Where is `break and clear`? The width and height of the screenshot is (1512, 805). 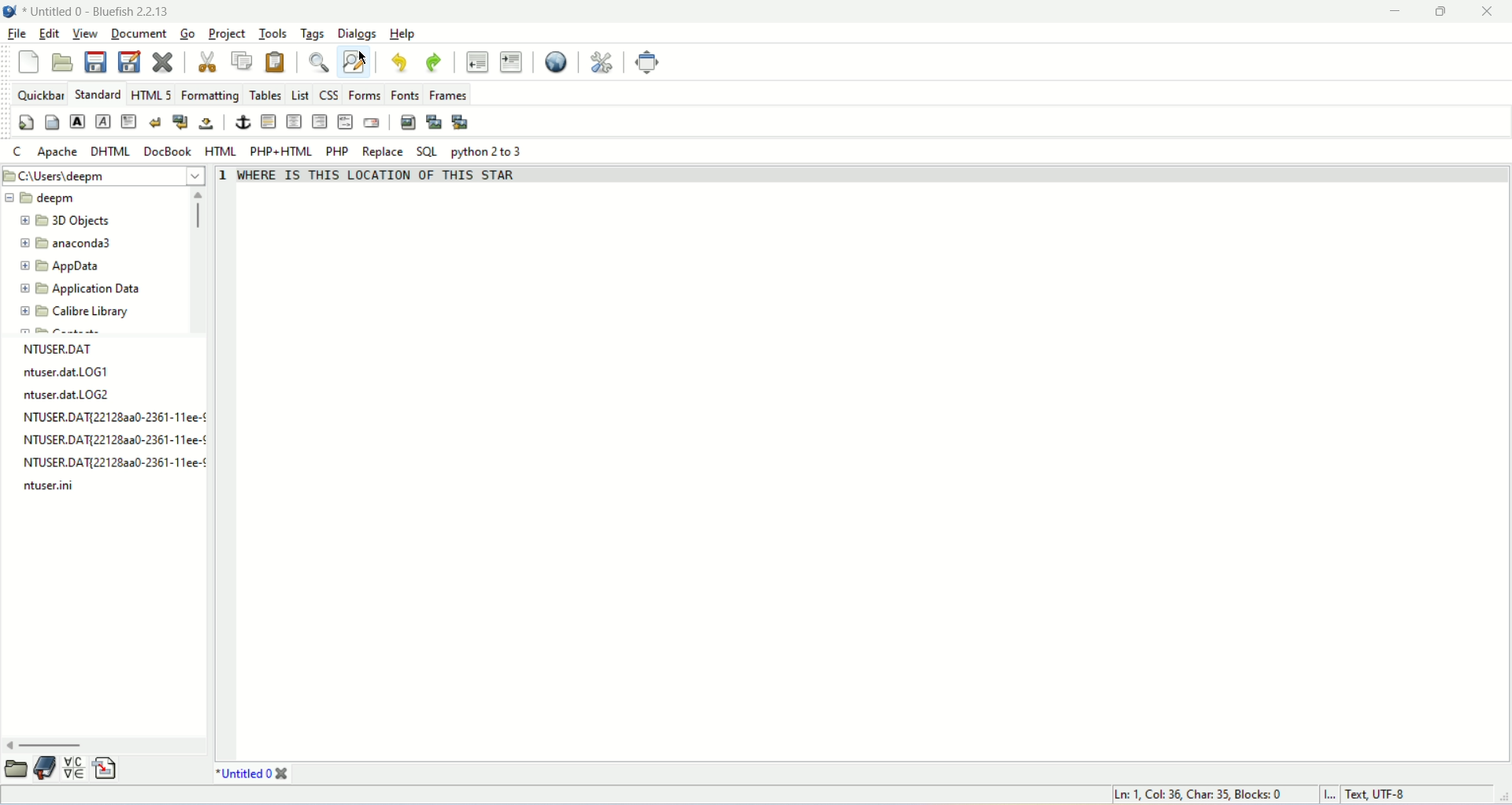
break and clear is located at coordinates (180, 121).